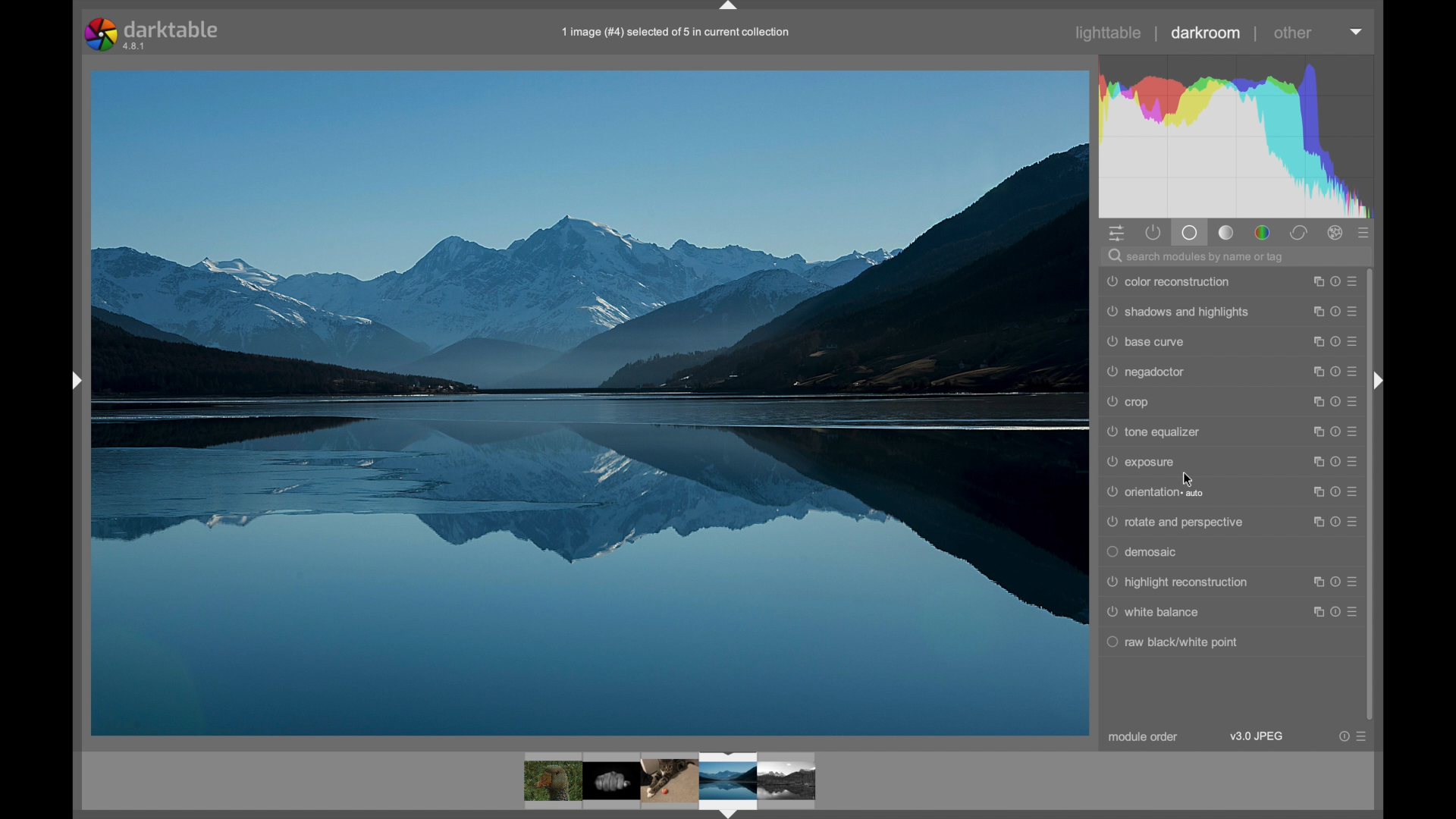 The height and width of the screenshot is (819, 1456). Describe the element at coordinates (1335, 402) in the screenshot. I see `more options` at that location.